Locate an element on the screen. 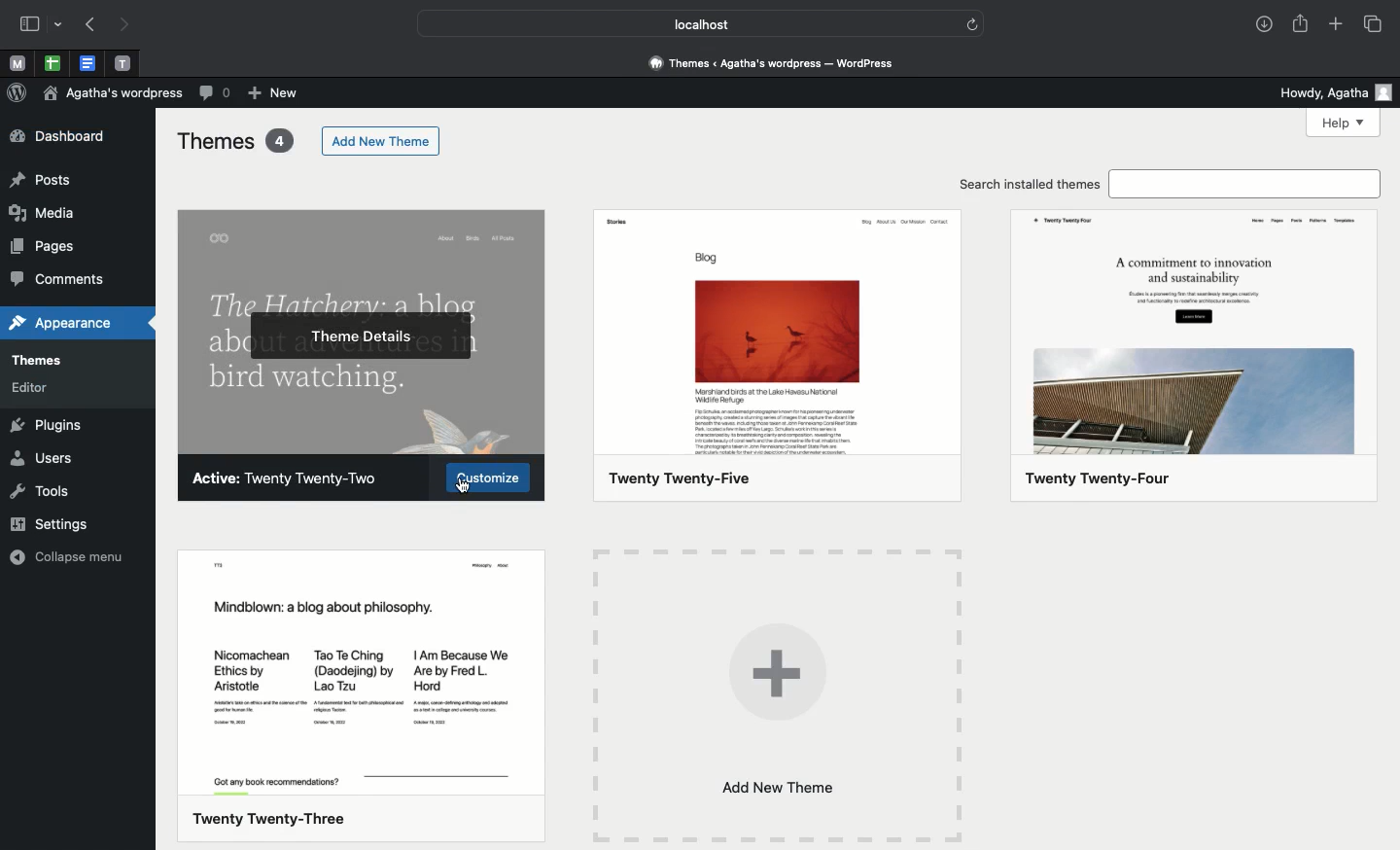  2023 theme is located at coordinates (363, 694).